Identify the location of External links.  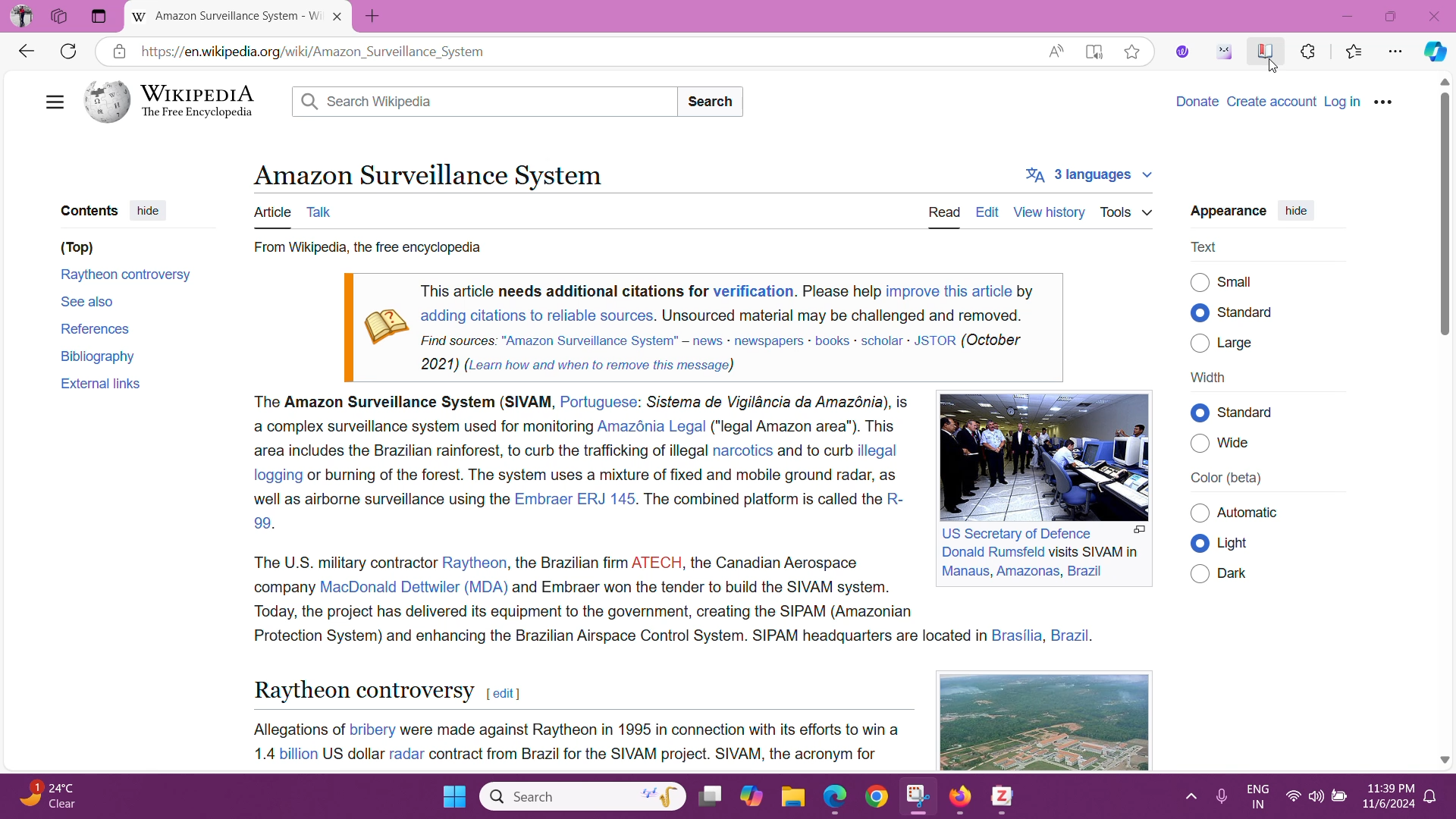
(100, 384).